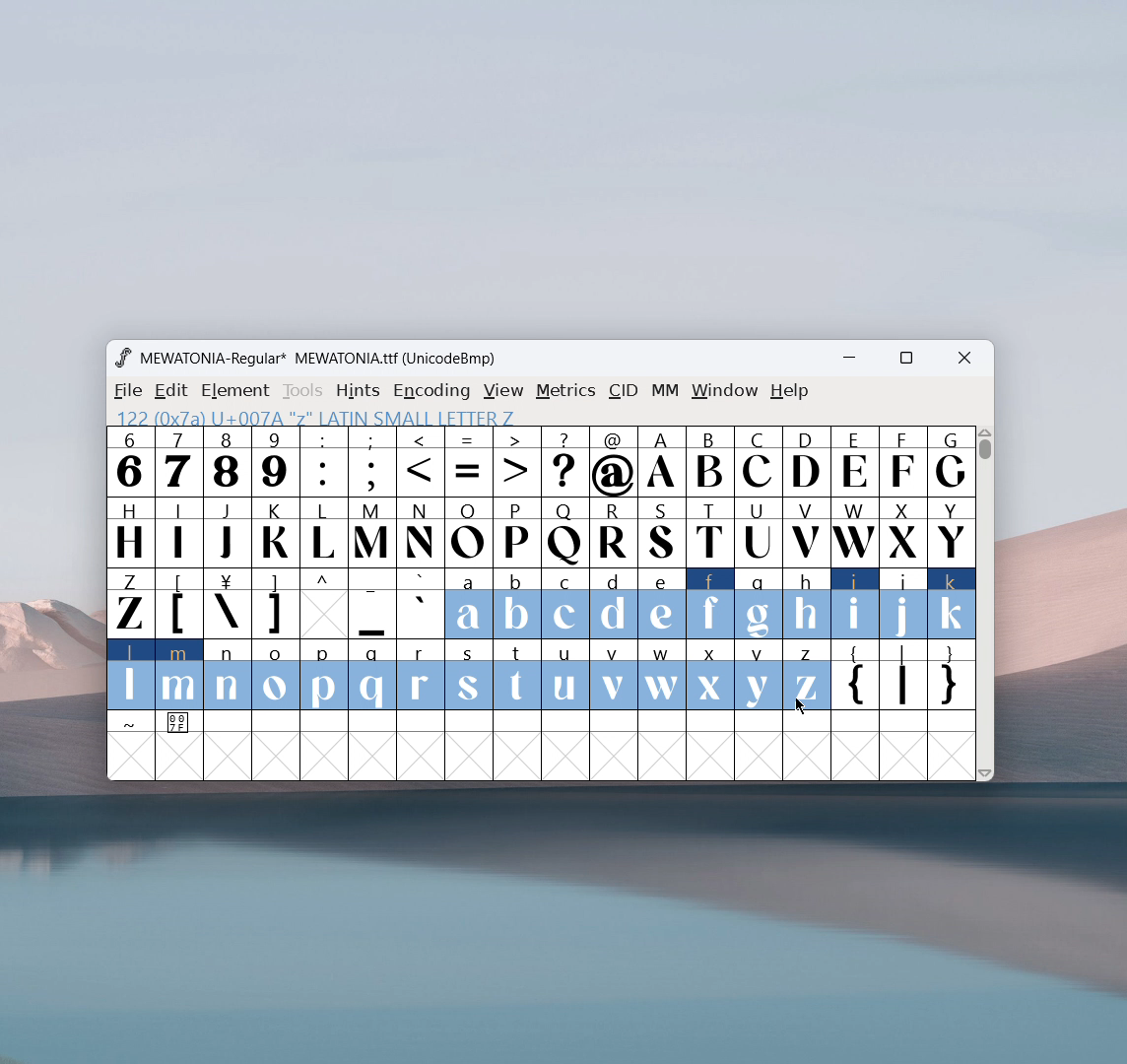  What do you see at coordinates (310, 416) in the screenshot?
I see `97 (x61) U+0061 "a" LATIN S ETTER` at bounding box center [310, 416].